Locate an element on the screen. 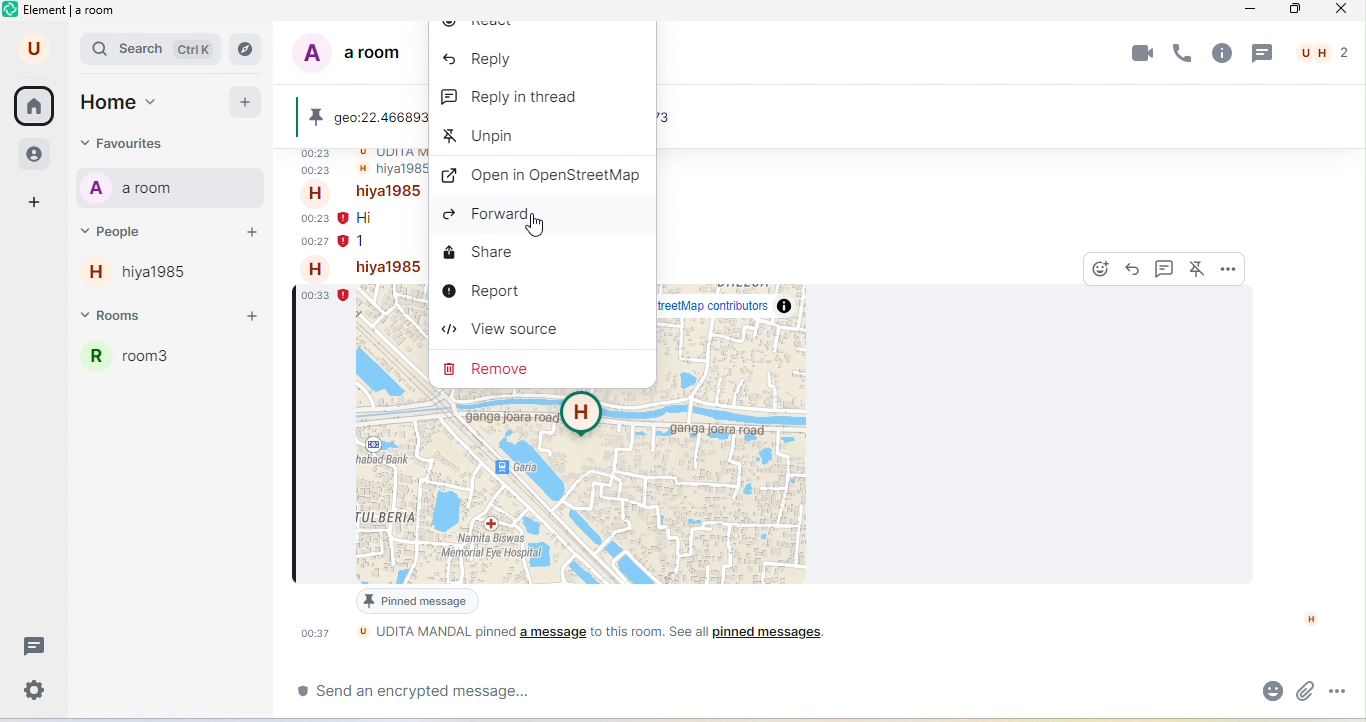 Image resolution: width=1366 pixels, height=722 pixels. pinned is located at coordinates (319, 118).